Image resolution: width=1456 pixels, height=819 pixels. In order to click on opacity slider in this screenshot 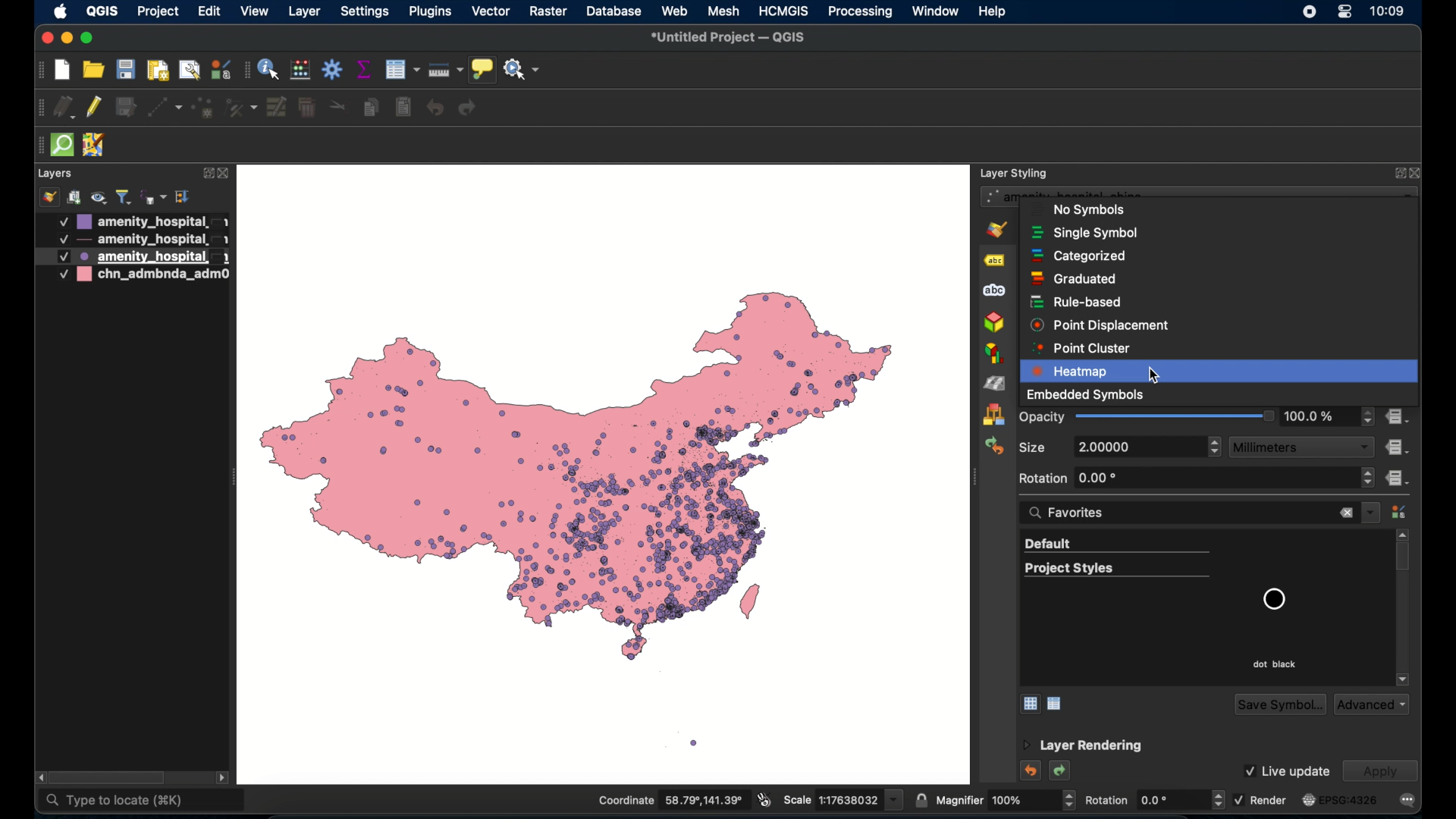, I will do `click(1148, 417)`.